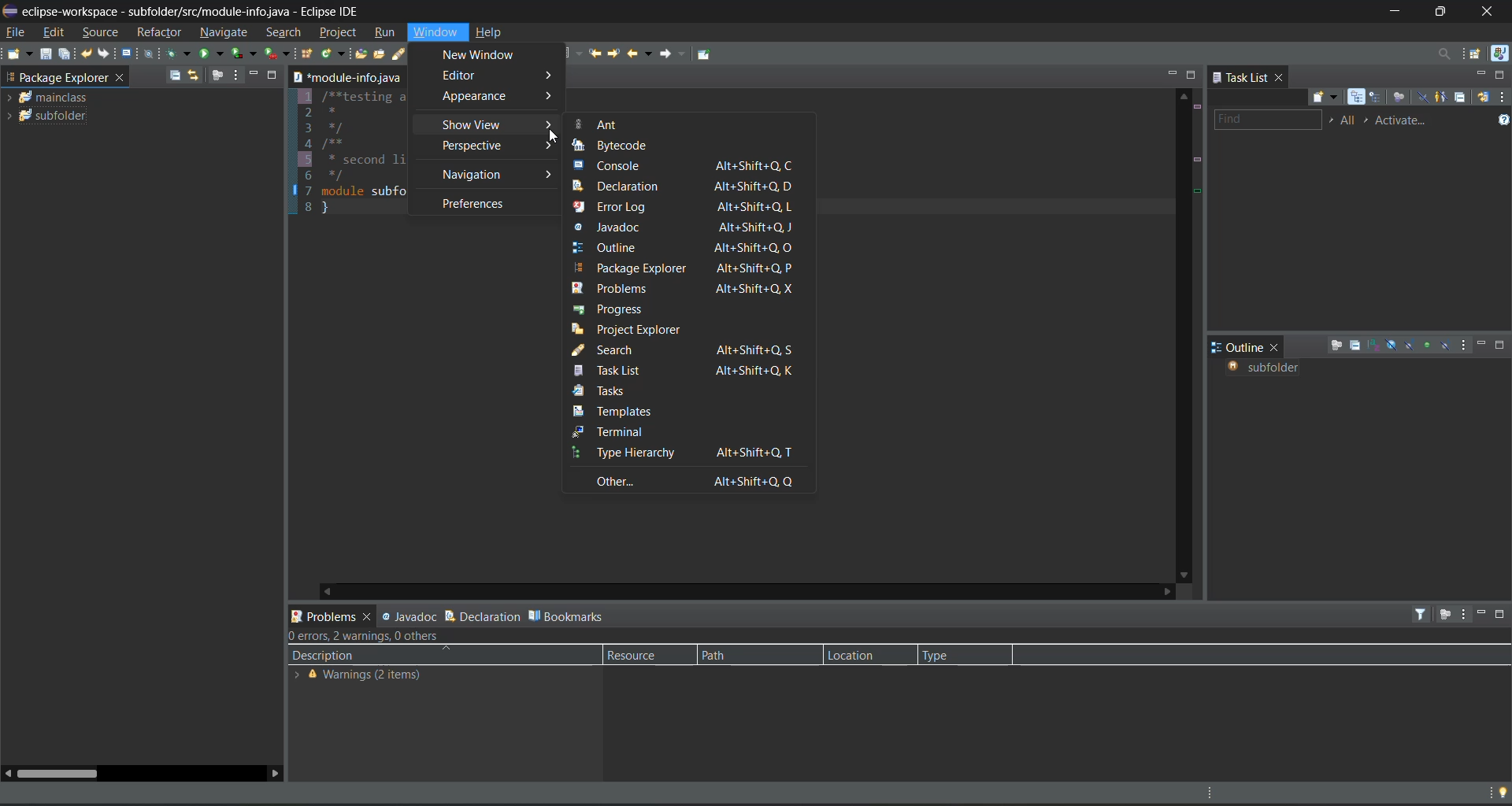 Image resolution: width=1512 pixels, height=806 pixels. I want to click on refractor, so click(159, 31).